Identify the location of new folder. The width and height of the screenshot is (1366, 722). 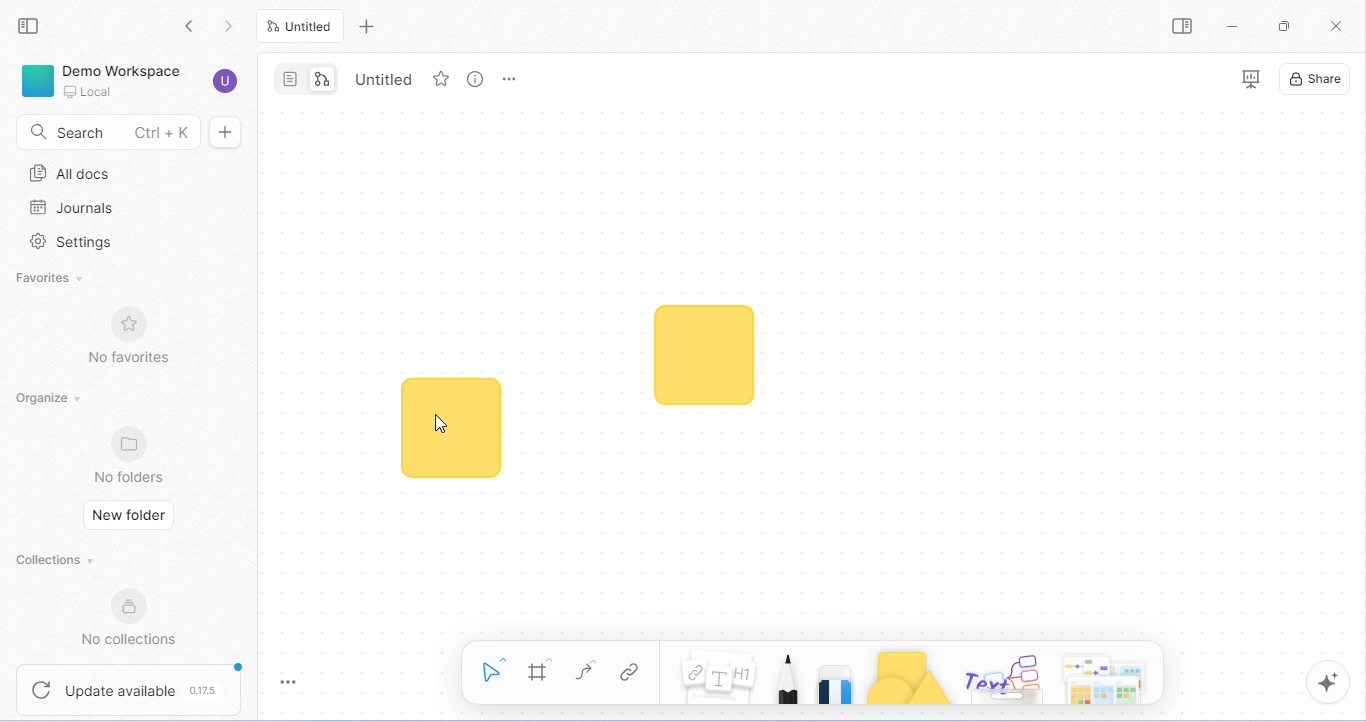
(131, 514).